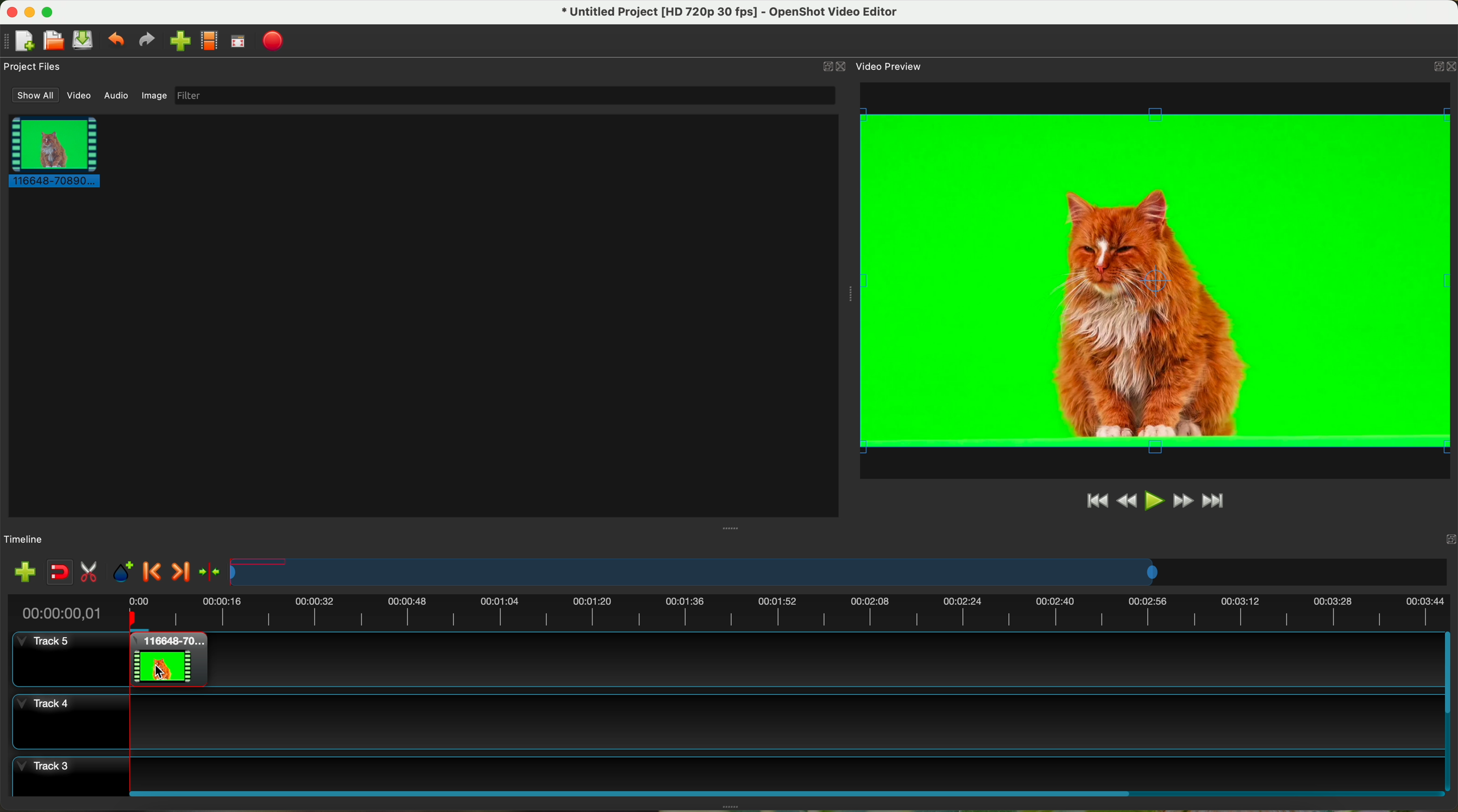 This screenshot has width=1458, height=812. I want to click on video, so click(1157, 280).